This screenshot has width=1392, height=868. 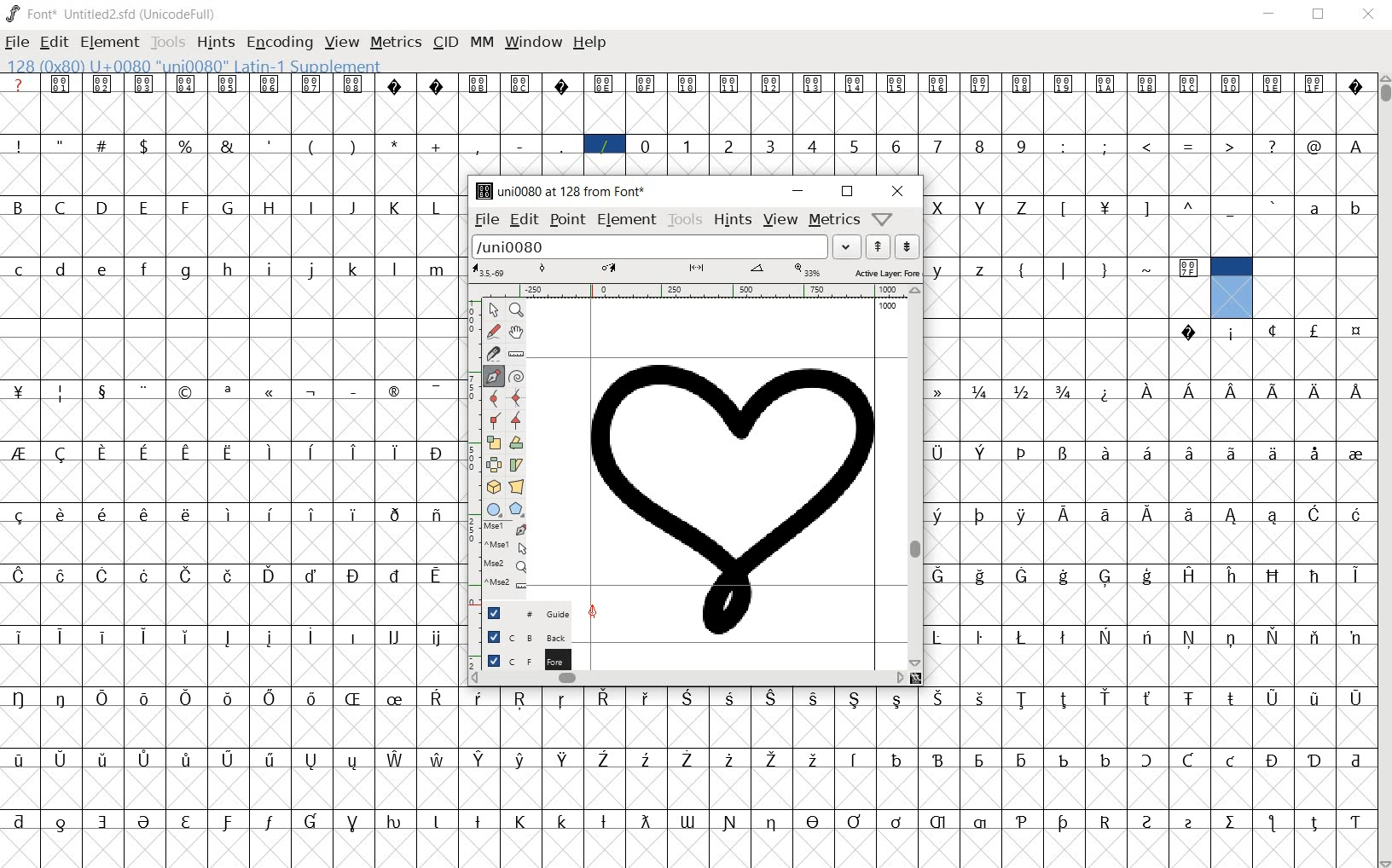 I want to click on glyph, so click(x=270, y=85).